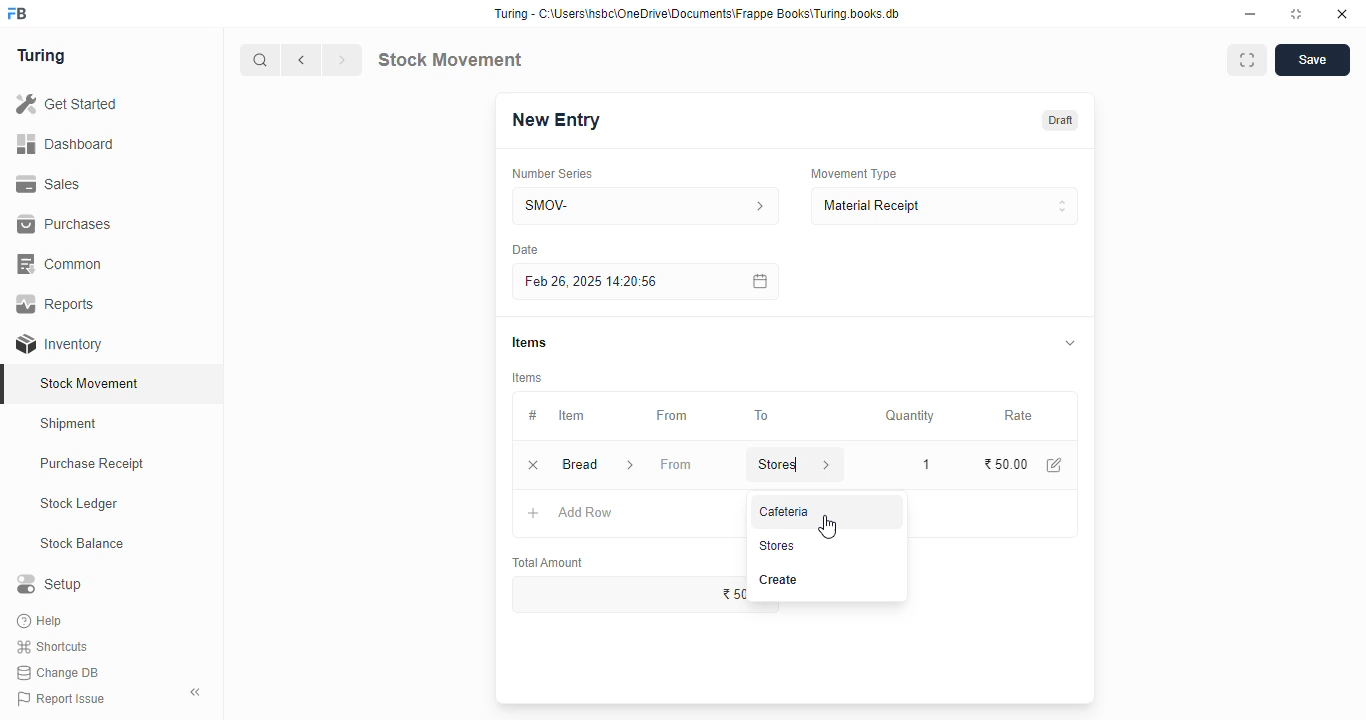 The image size is (1366, 720). I want to click on sales, so click(48, 184).